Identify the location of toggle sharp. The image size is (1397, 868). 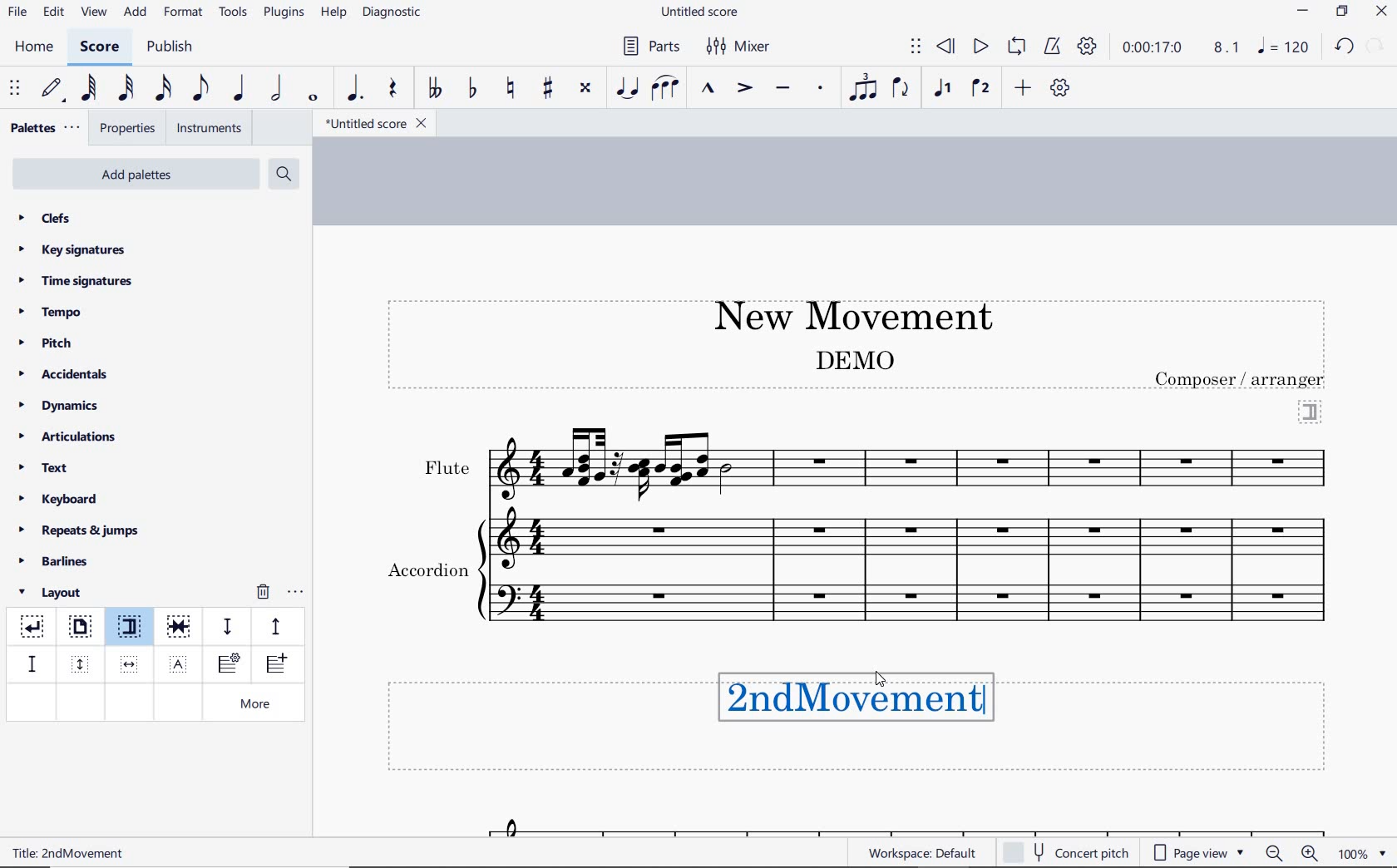
(550, 89).